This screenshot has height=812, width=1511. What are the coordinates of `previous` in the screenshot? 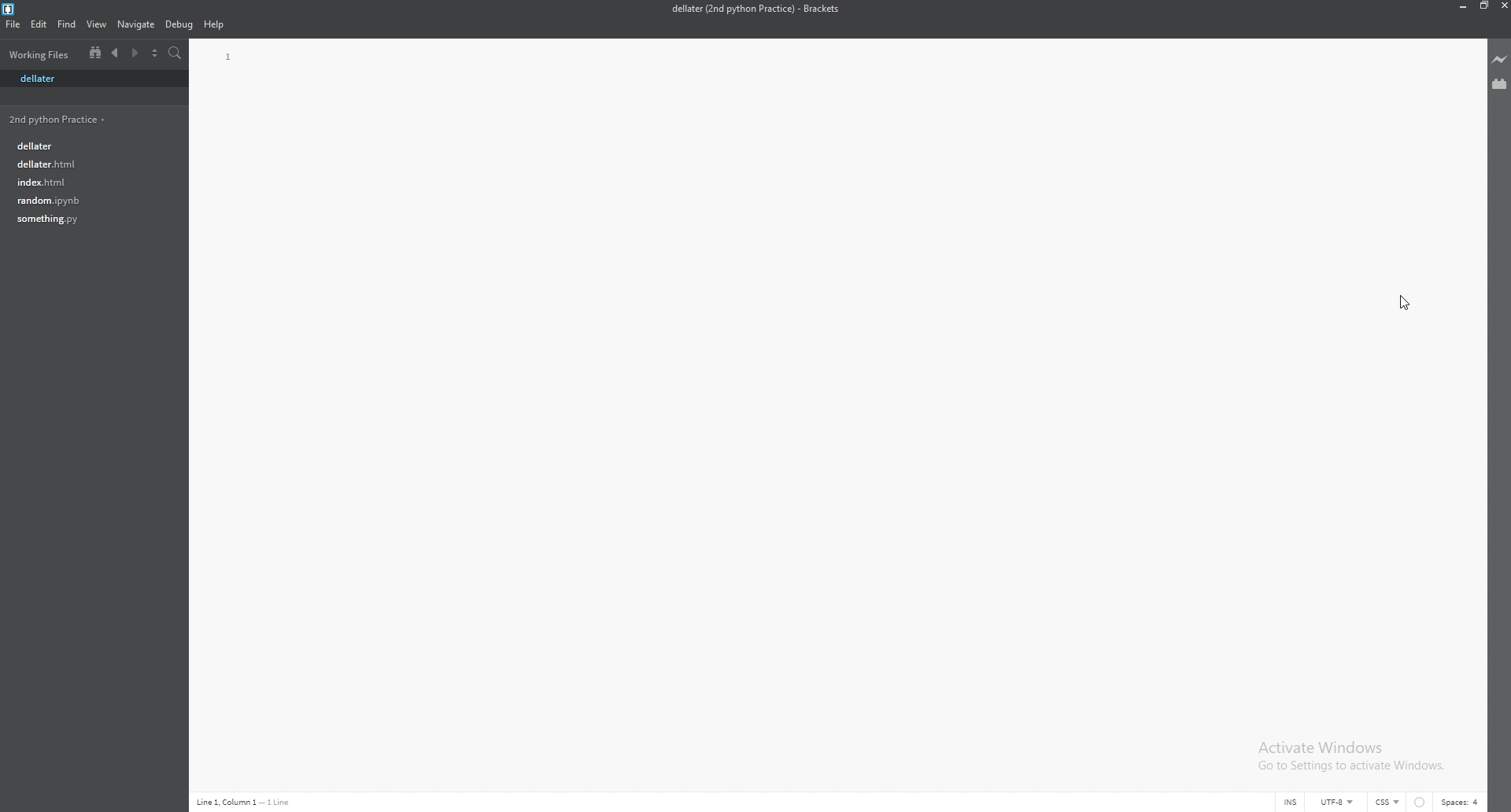 It's located at (116, 54).